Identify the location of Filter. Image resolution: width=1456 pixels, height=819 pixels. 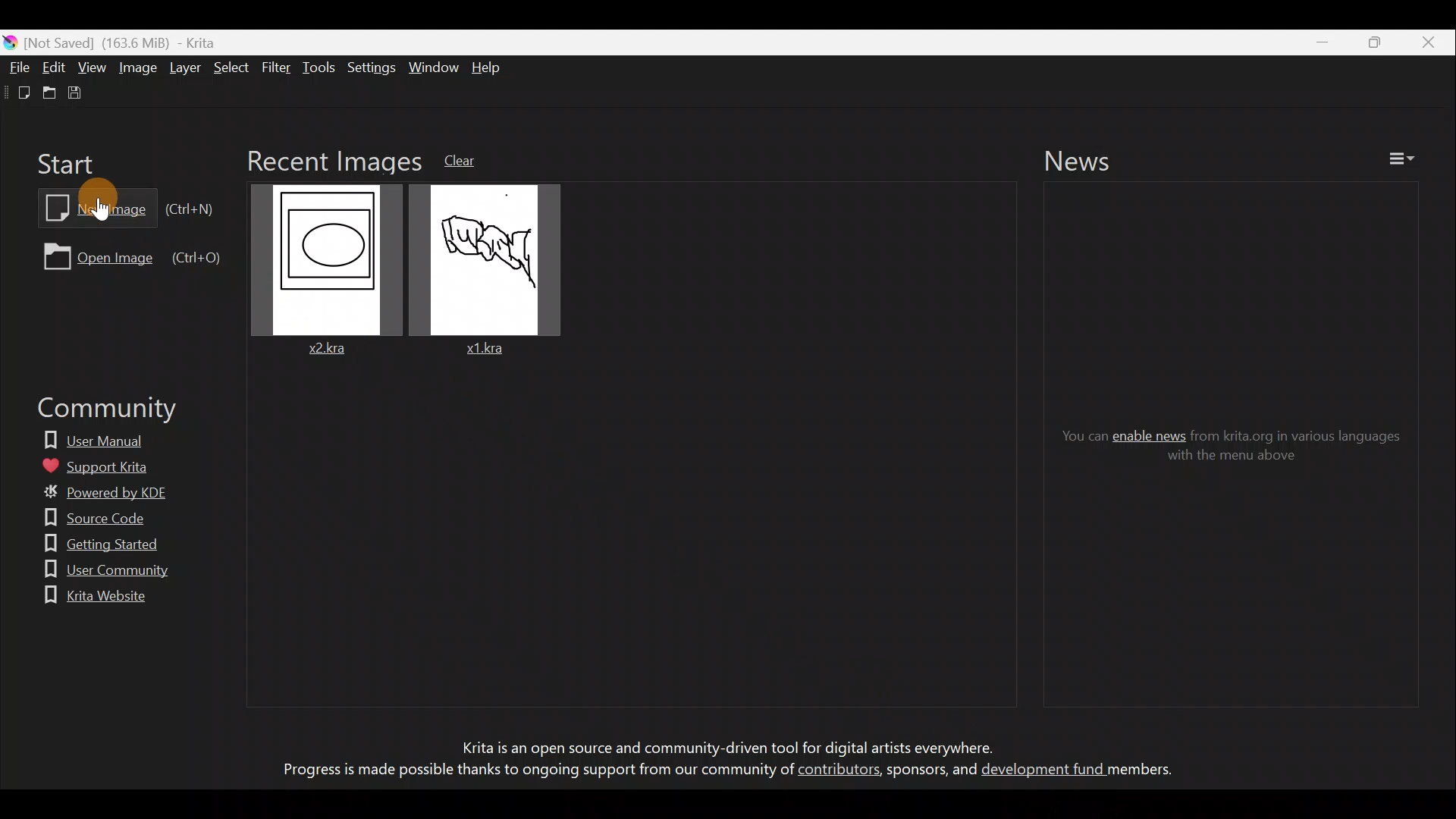
(278, 72).